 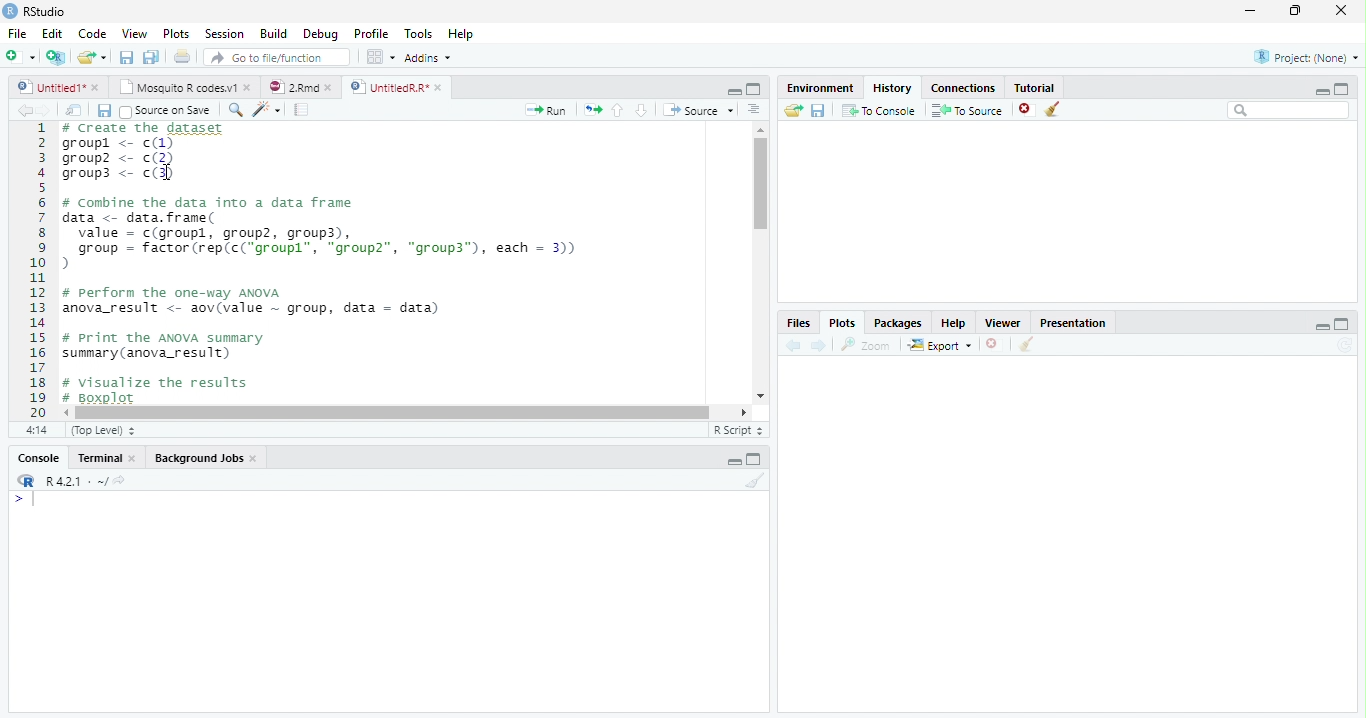 I want to click on Maximize, so click(x=1297, y=11).